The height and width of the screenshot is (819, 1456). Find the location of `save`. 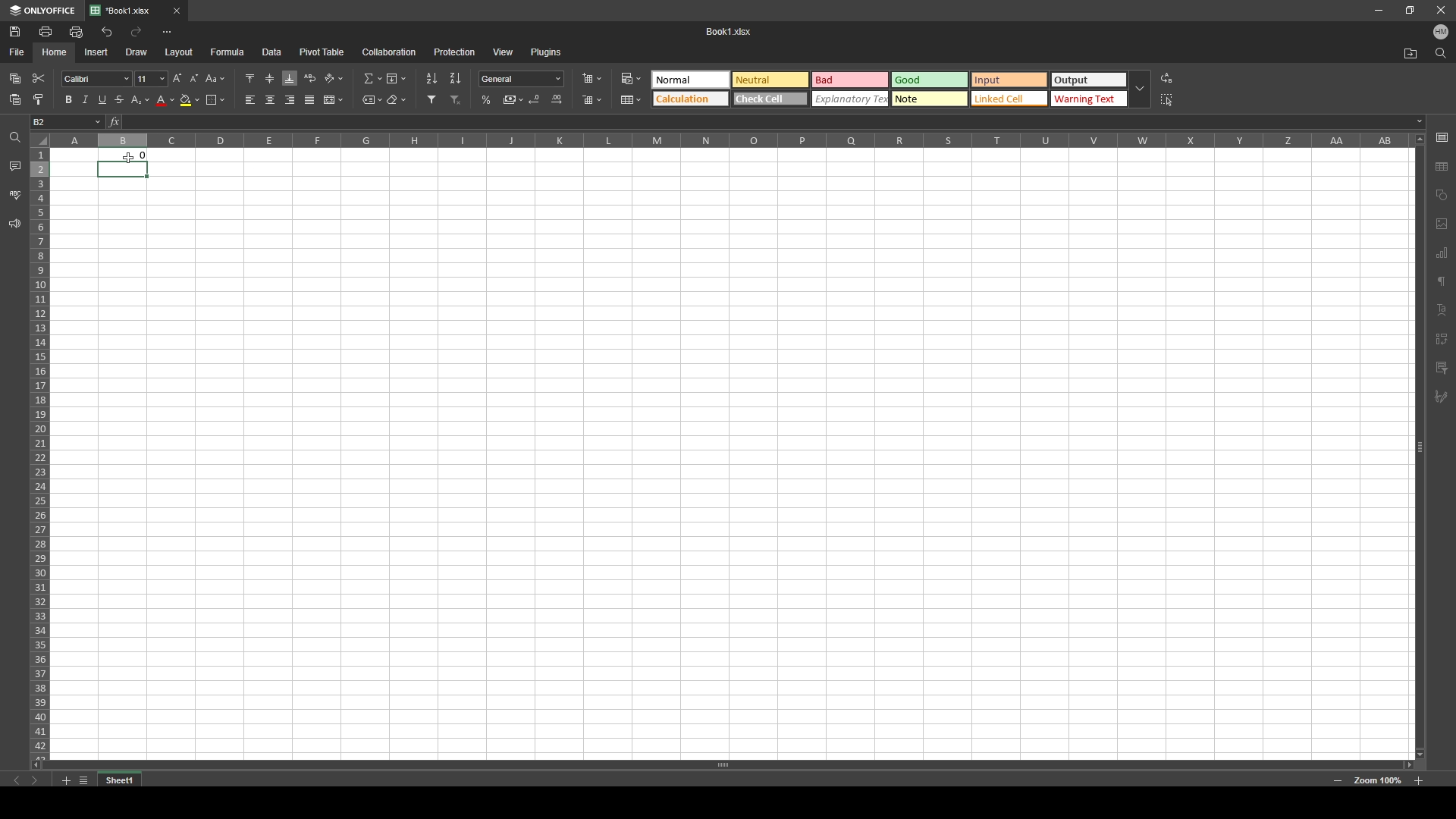

save is located at coordinates (14, 31).